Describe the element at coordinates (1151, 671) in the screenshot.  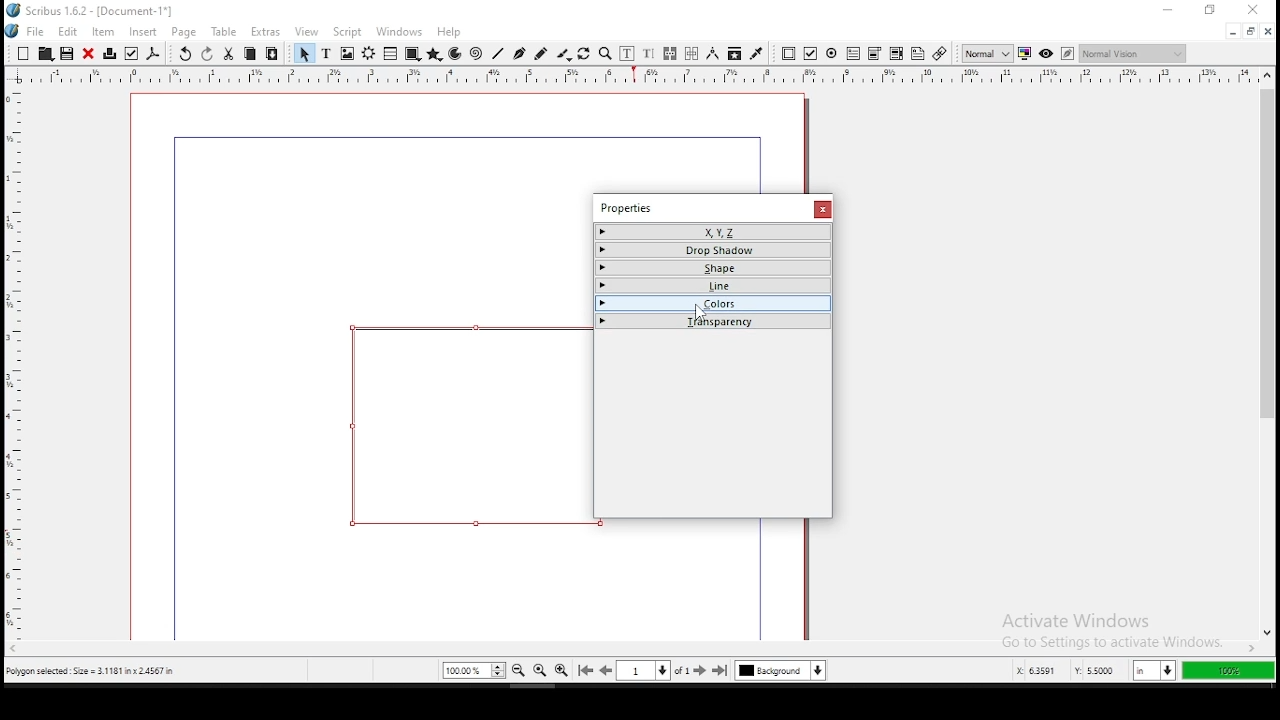
I see `in` at that location.